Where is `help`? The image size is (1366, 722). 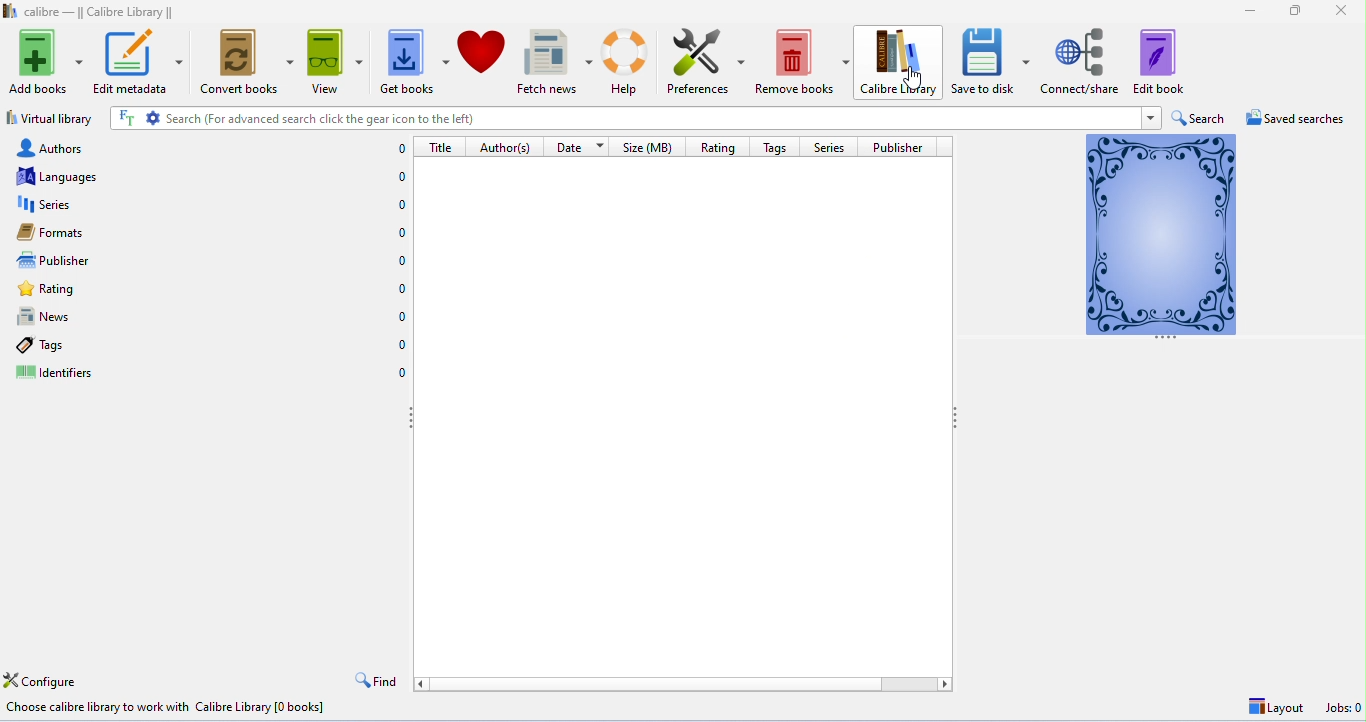 help is located at coordinates (628, 59).